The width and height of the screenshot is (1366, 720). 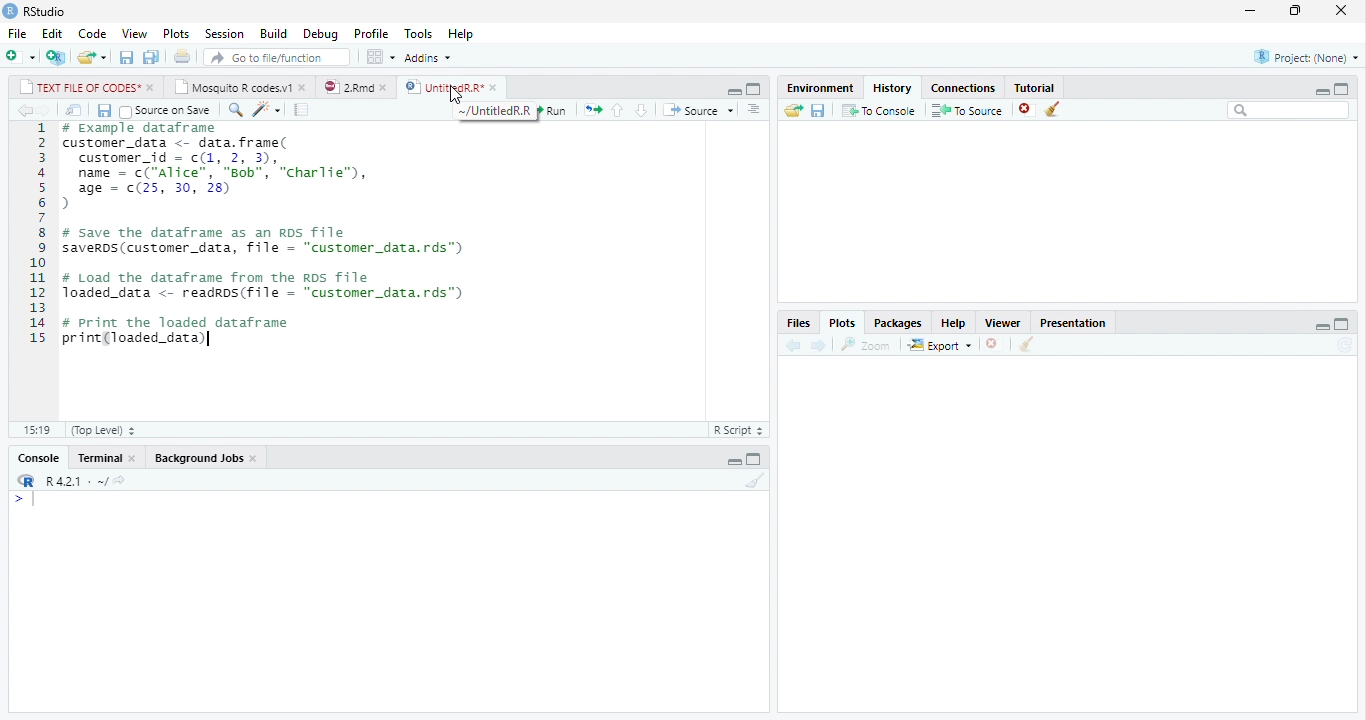 I want to click on To Console, so click(x=878, y=110).